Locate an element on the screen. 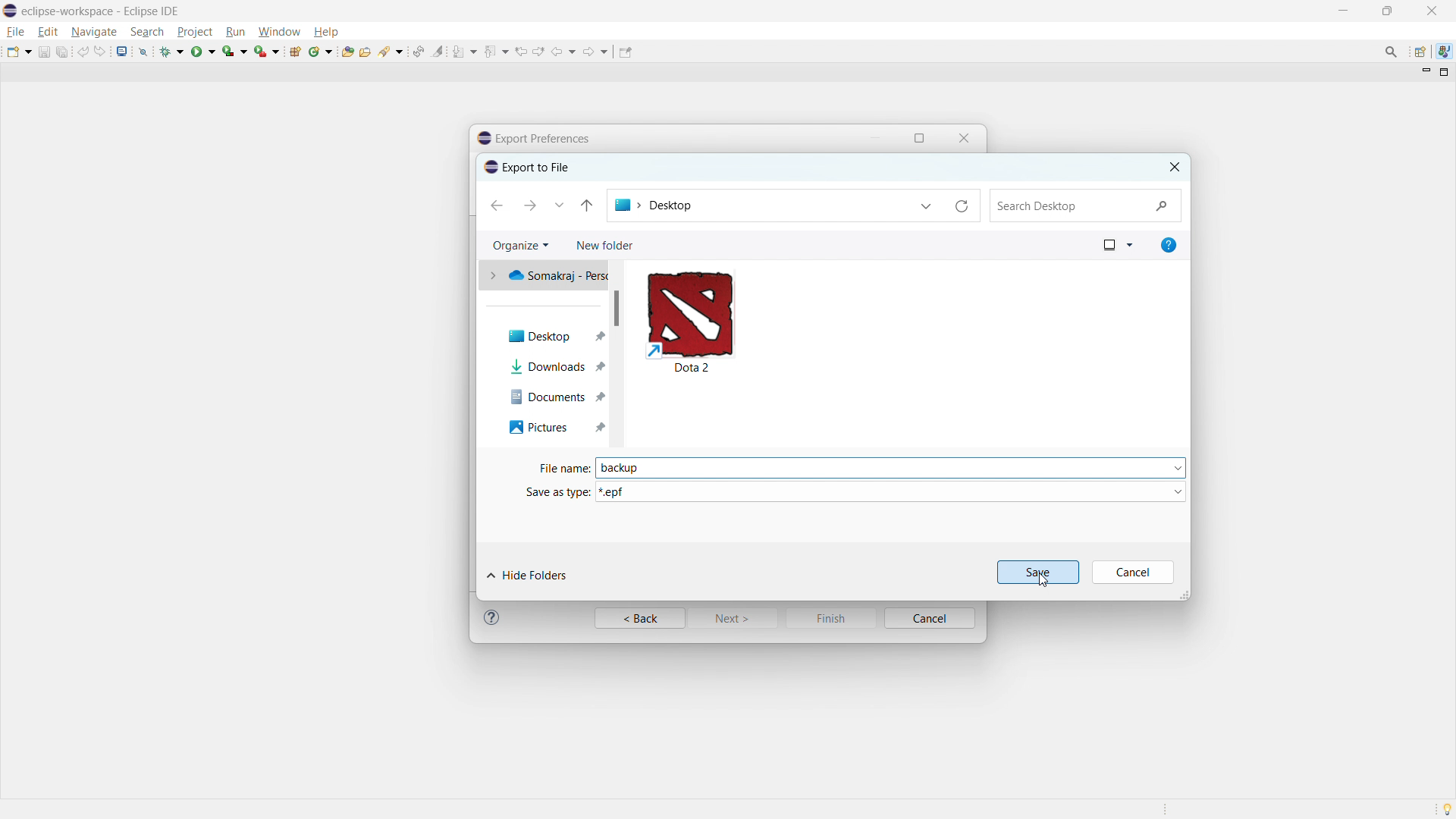 The width and height of the screenshot is (1456, 819). open task is located at coordinates (365, 50).